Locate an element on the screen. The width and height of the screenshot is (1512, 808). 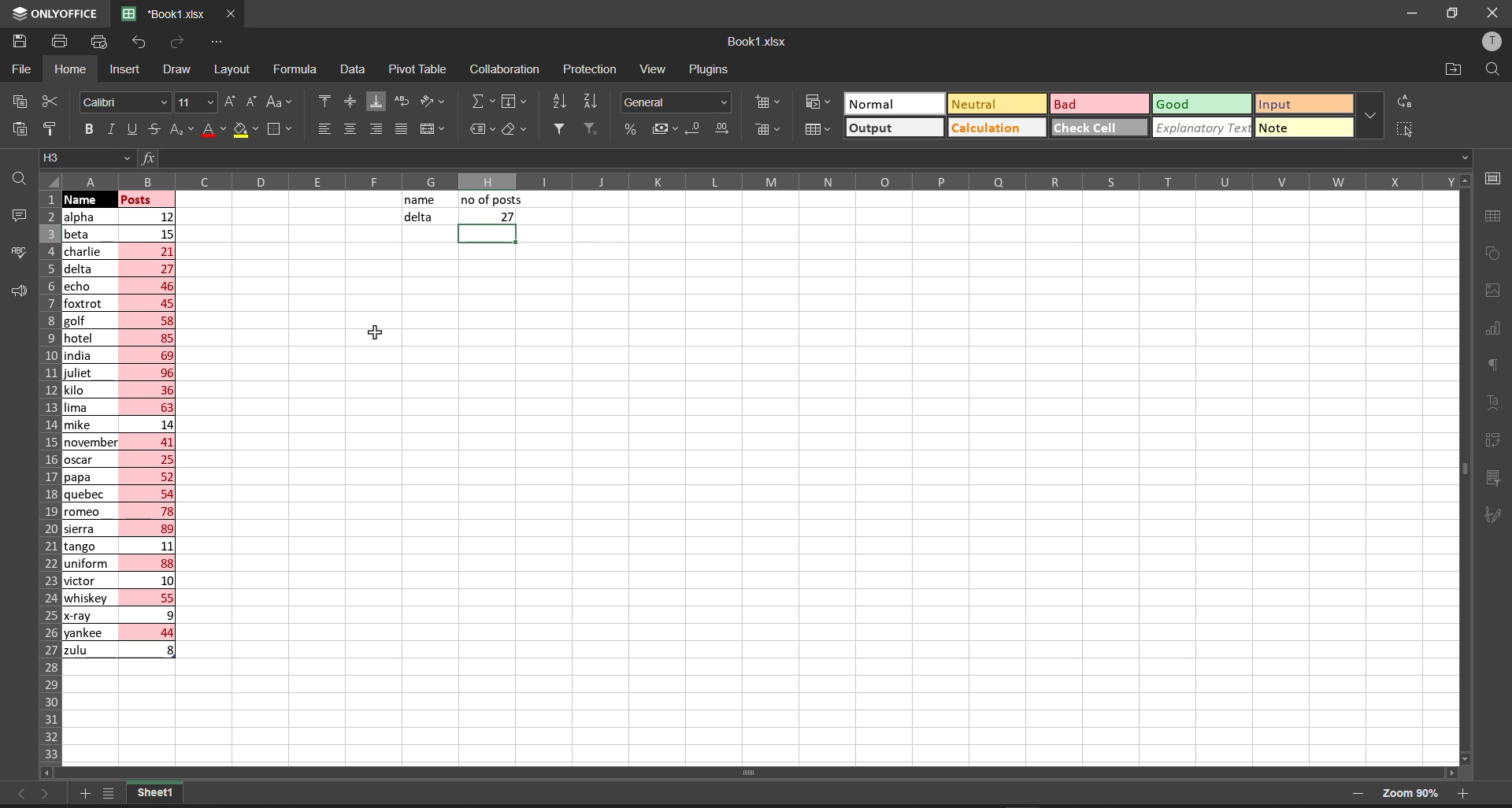
file is located at coordinates (23, 68).